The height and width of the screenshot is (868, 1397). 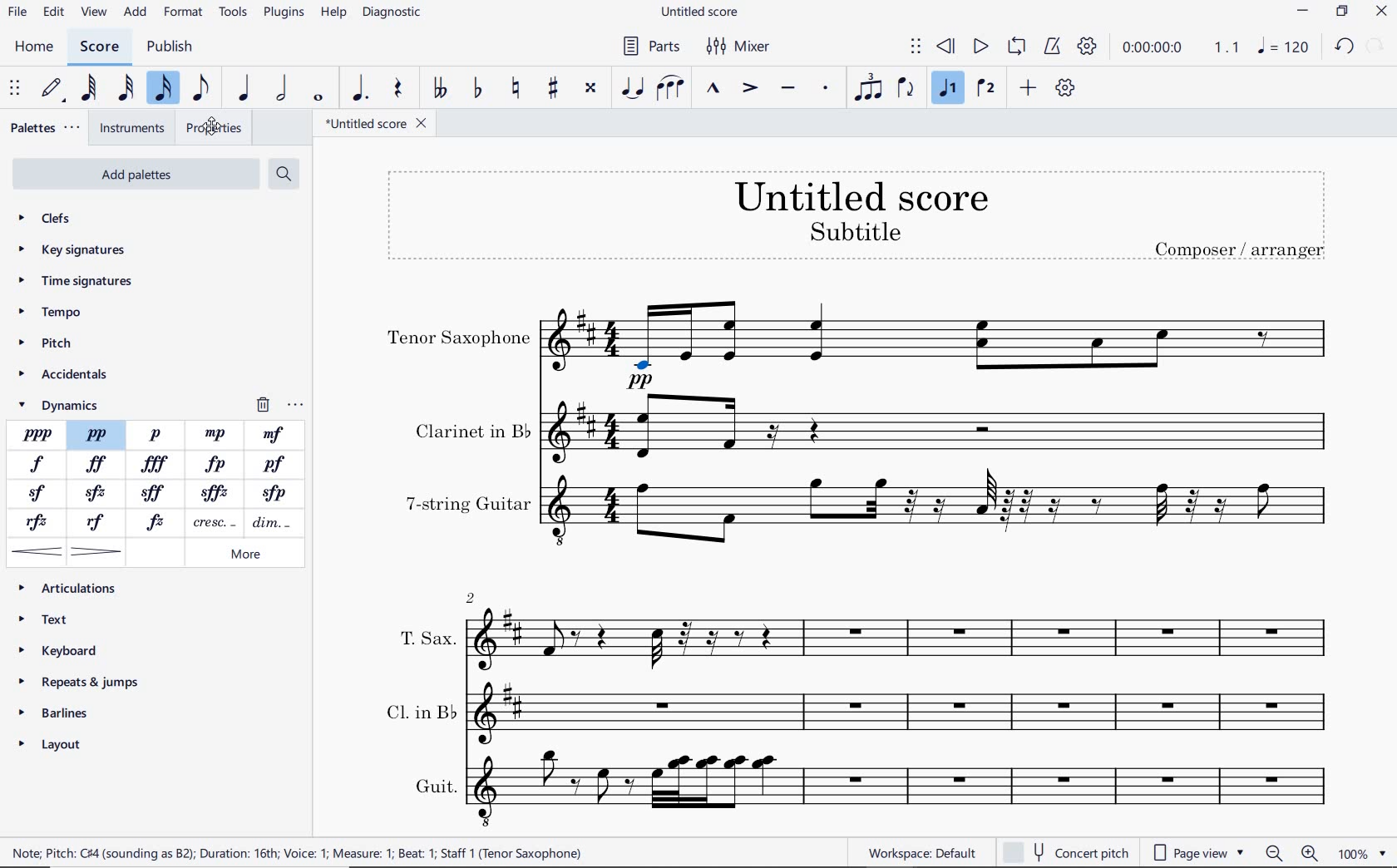 I want to click on DEFAULT (STEP TIME), so click(x=54, y=91).